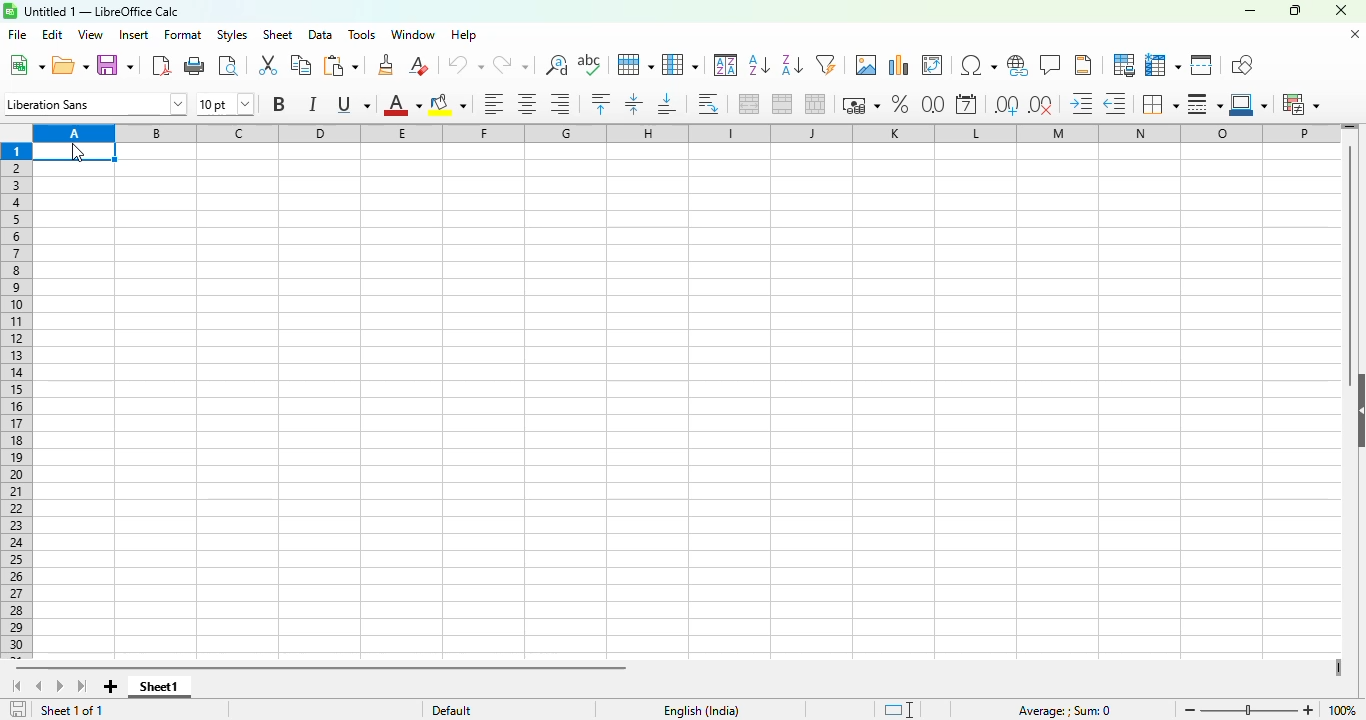  Describe the element at coordinates (183, 35) in the screenshot. I see `format` at that location.